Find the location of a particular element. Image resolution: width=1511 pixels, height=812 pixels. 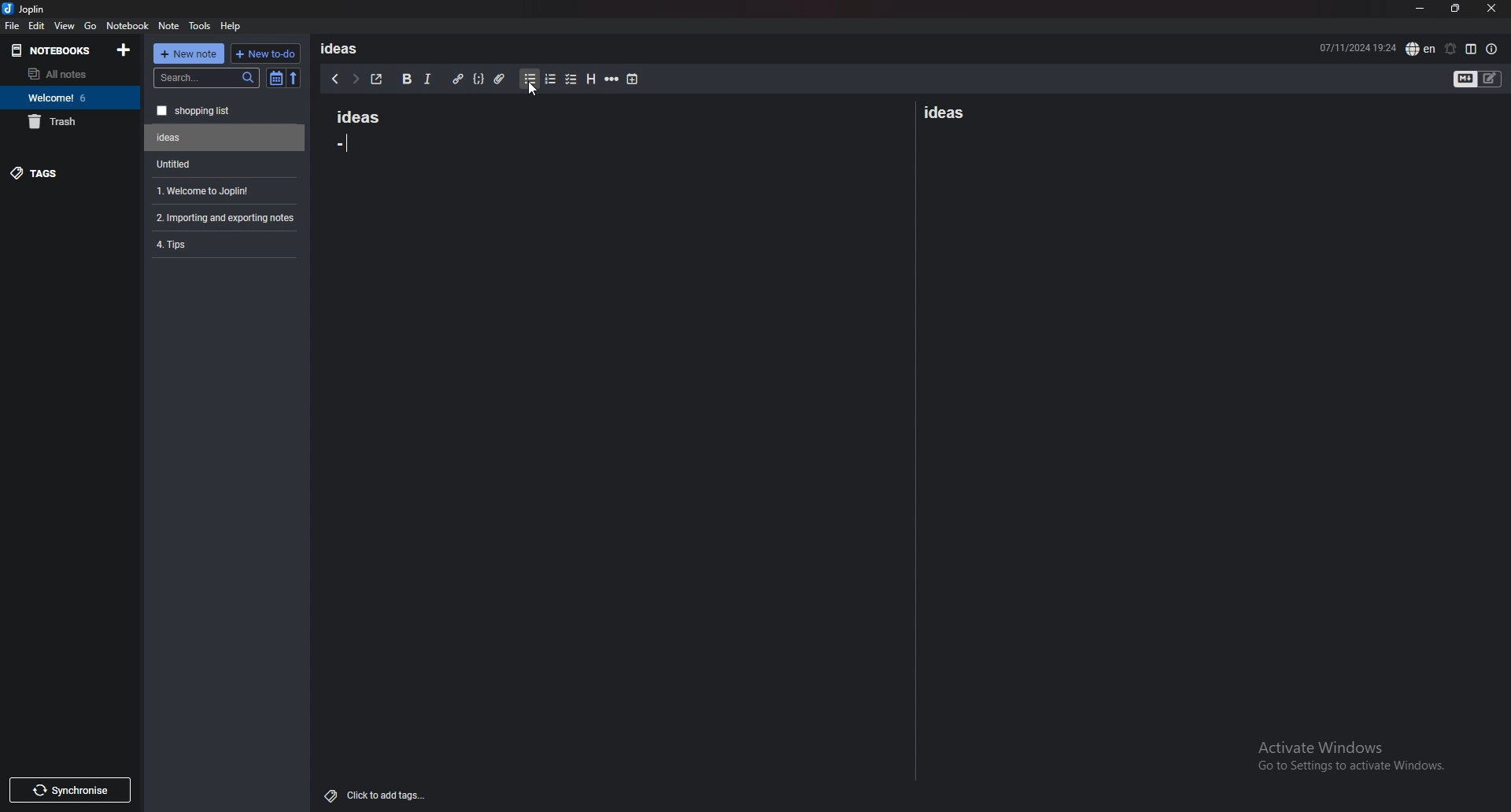

edit is located at coordinates (36, 26).